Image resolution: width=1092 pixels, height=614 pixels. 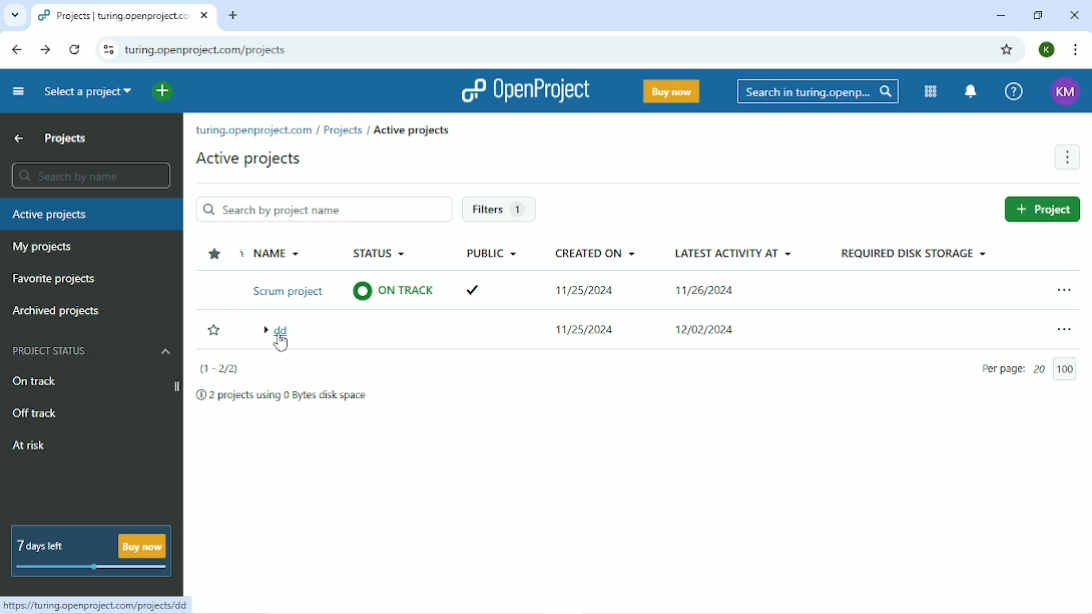 What do you see at coordinates (1038, 209) in the screenshot?
I see `Project` at bounding box center [1038, 209].